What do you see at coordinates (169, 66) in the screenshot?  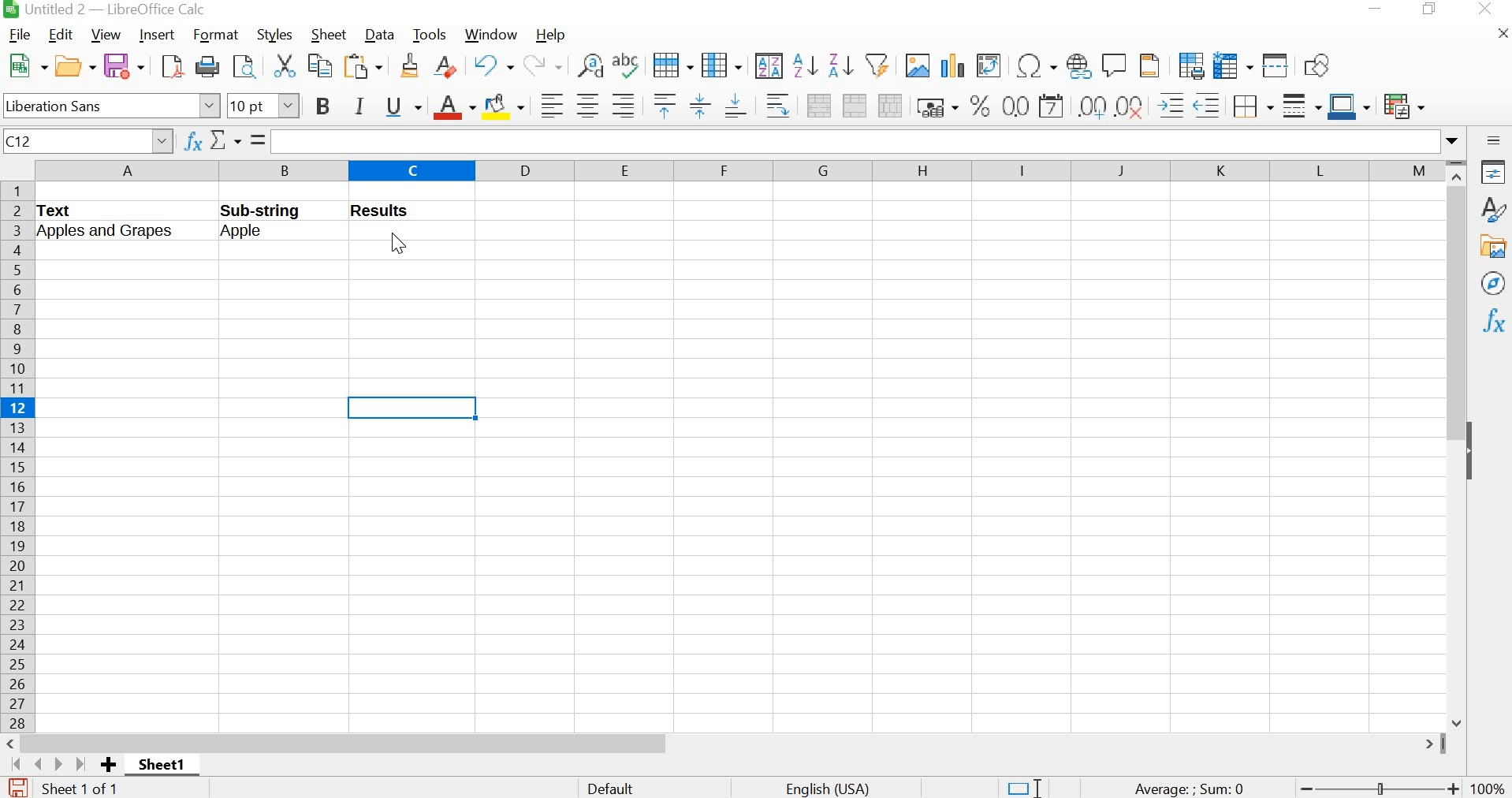 I see `save as pdf` at bounding box center [169, 66].